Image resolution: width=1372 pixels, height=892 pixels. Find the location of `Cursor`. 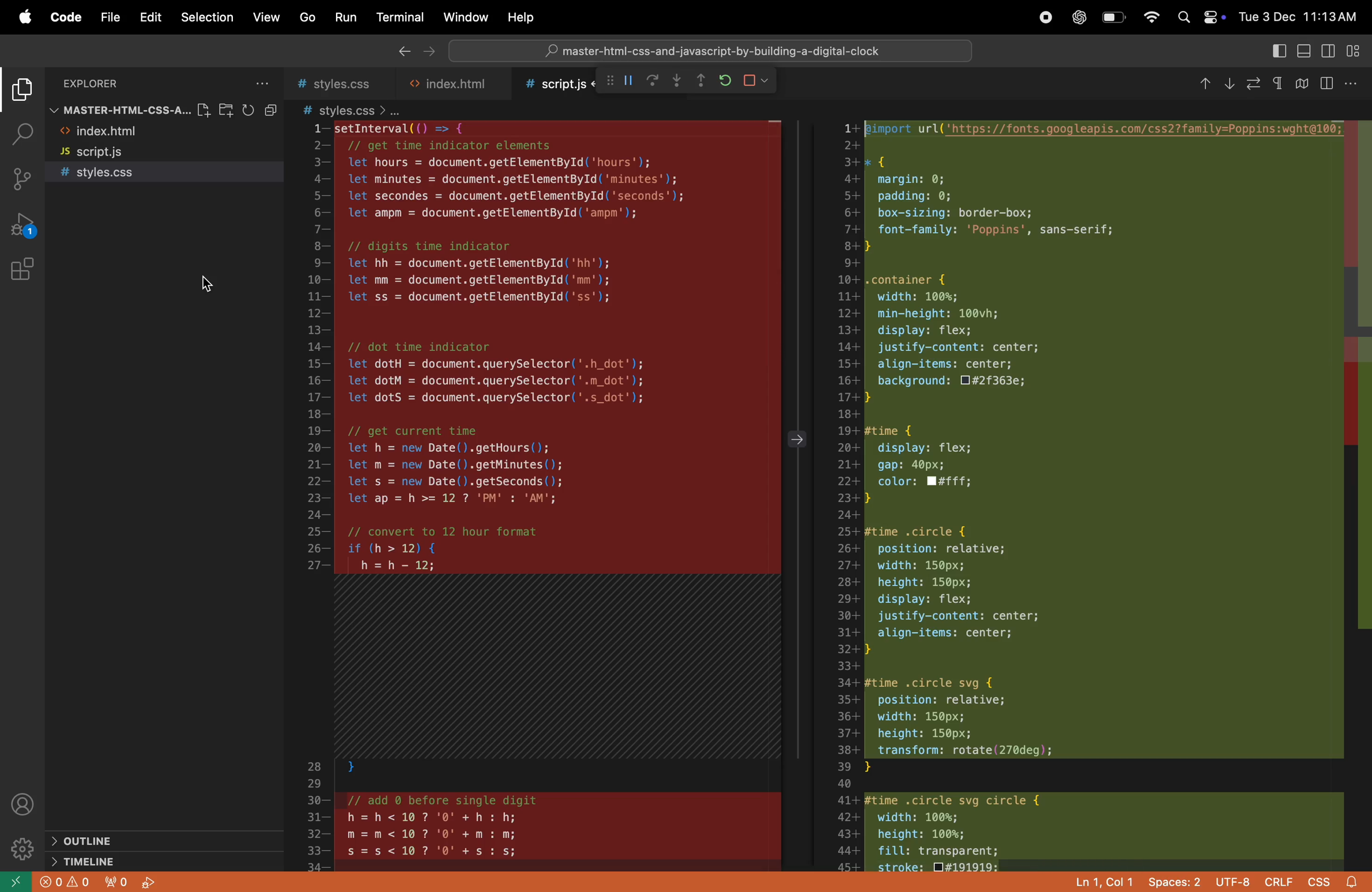

Cursor is located at coordinates (203, 286).